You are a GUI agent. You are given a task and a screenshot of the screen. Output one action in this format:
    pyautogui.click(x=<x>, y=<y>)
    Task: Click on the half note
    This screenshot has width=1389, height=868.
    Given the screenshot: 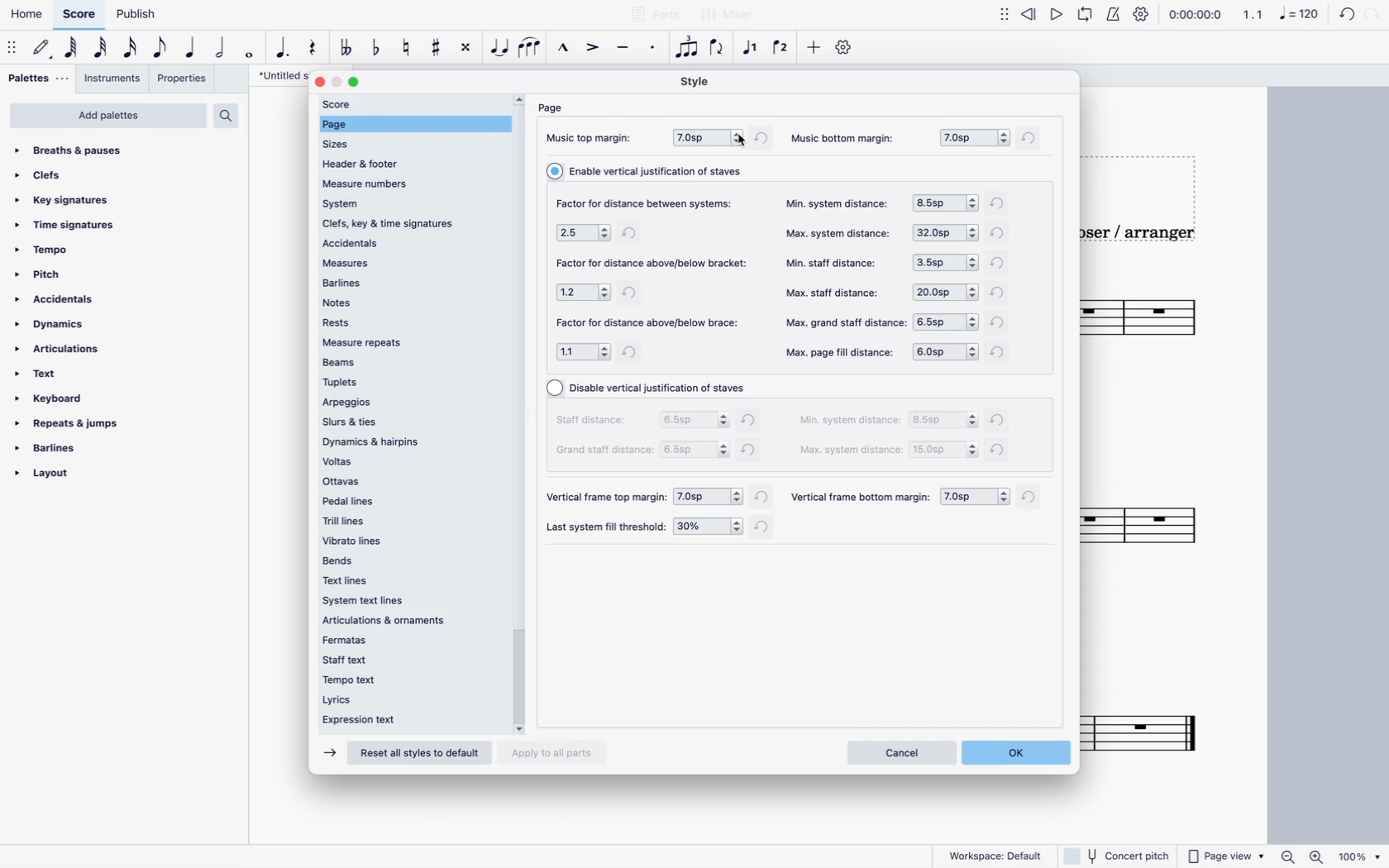 What is the action you would take?
    pyautogui.click(x=218, y=50)
    